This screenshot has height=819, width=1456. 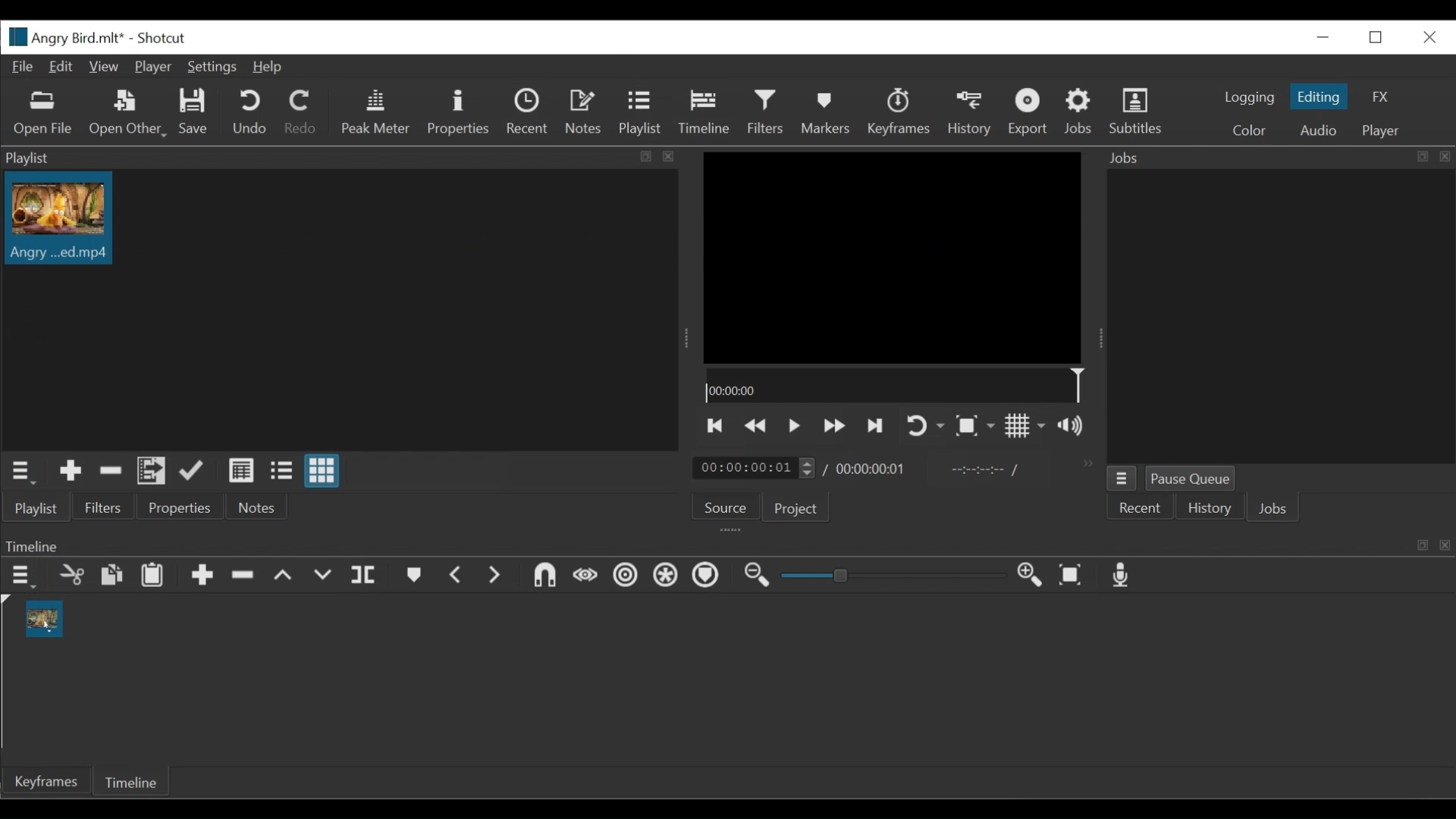 I want to click on Show volume control, so click(x=1073, y=427).